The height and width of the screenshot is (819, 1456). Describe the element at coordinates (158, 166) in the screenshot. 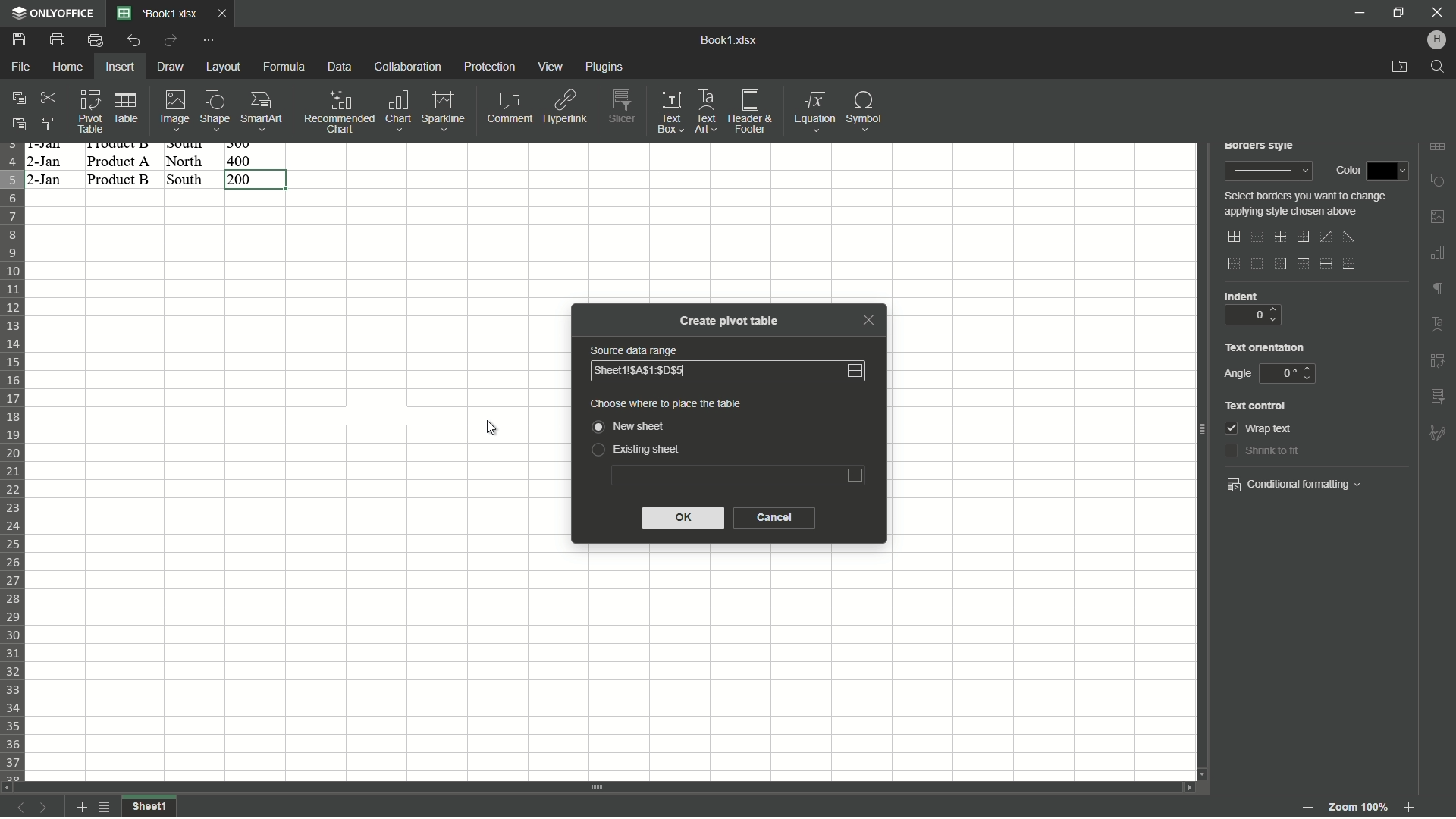

I see `data` at that location.